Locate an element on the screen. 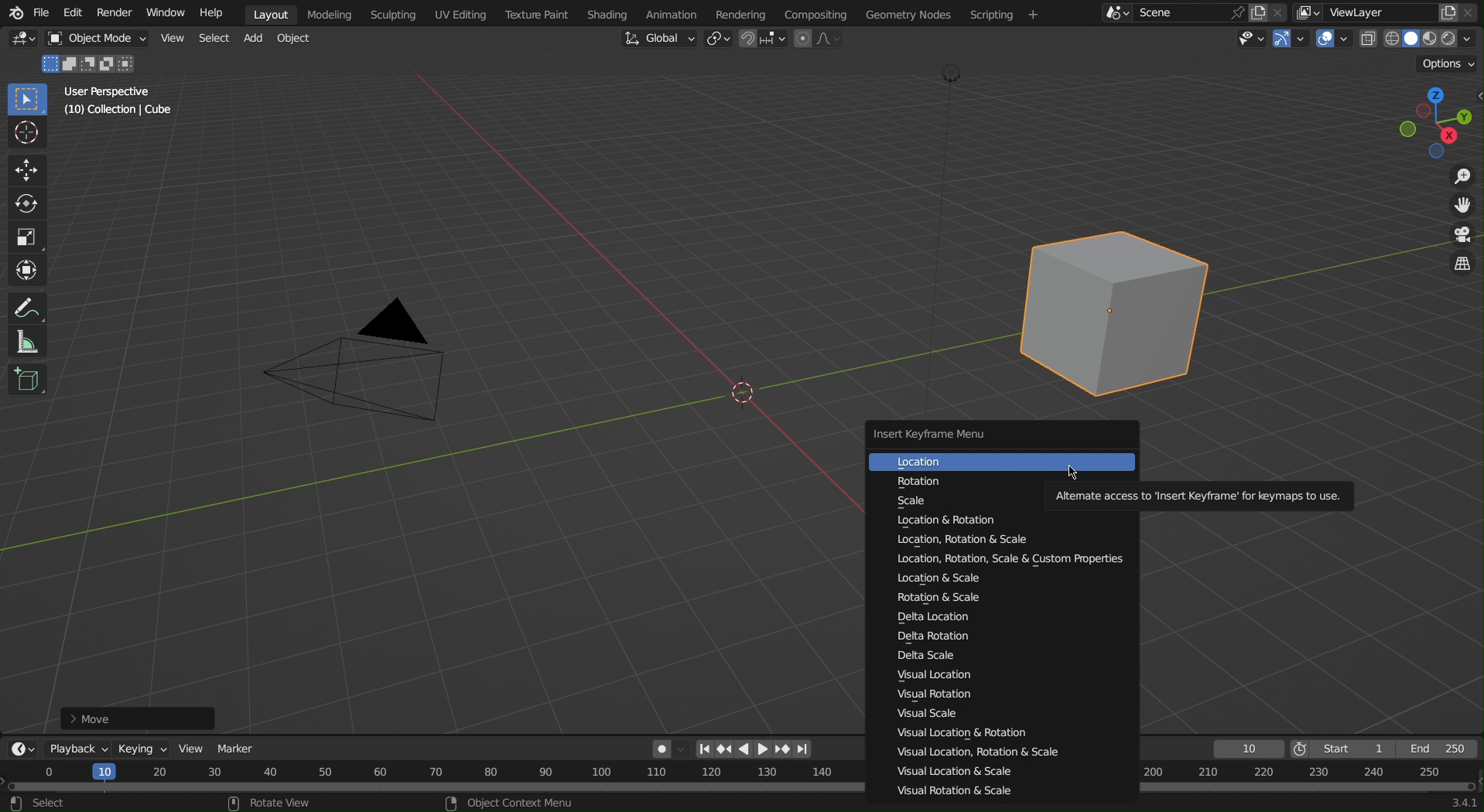 The image size is (1484, 812). copy is located at coordinates (1263, 11).